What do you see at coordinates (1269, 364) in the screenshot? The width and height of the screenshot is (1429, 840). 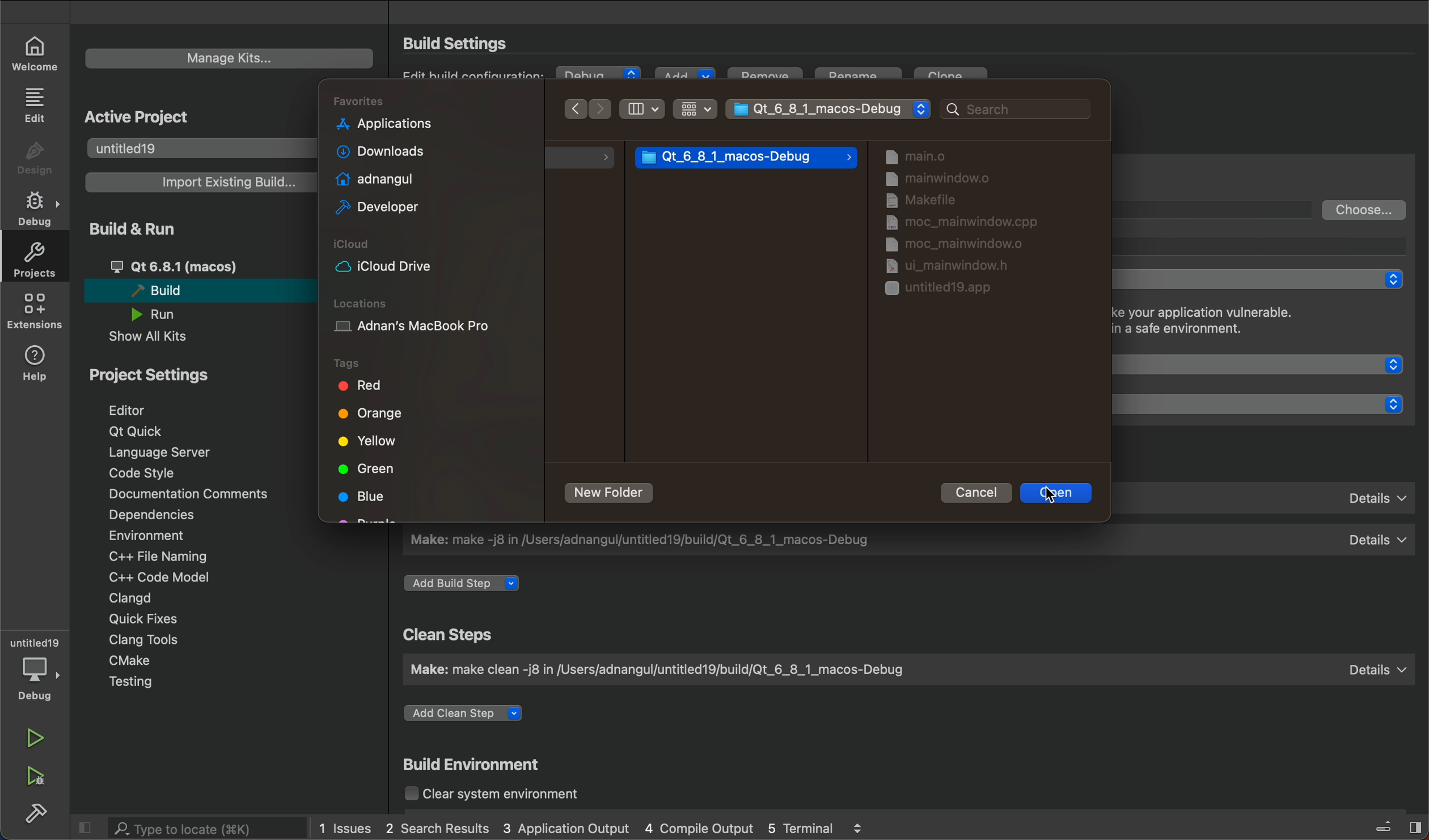 I see `qt quick` at bounding box center [1269, 364].